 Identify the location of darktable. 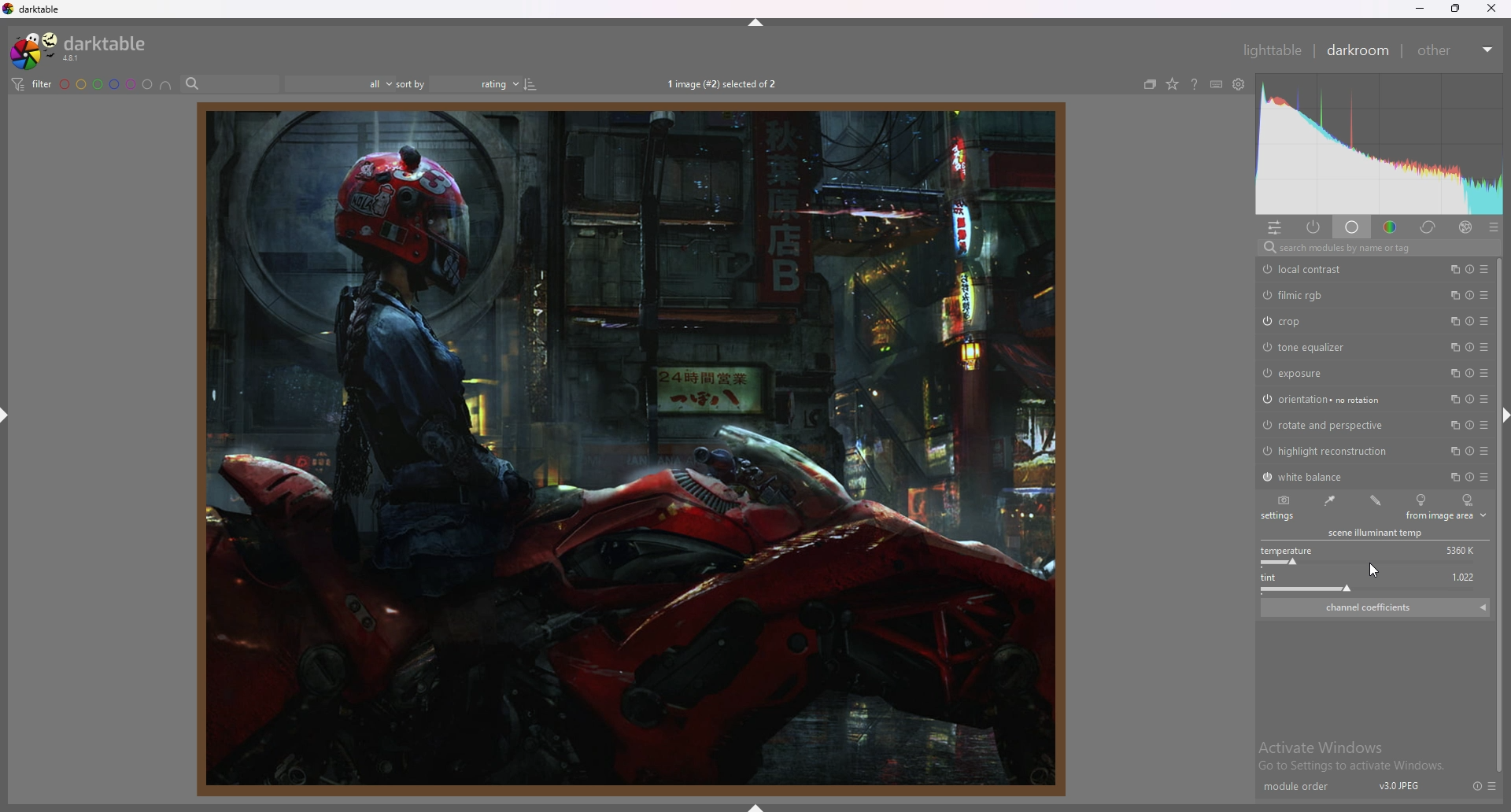
(82, 48).